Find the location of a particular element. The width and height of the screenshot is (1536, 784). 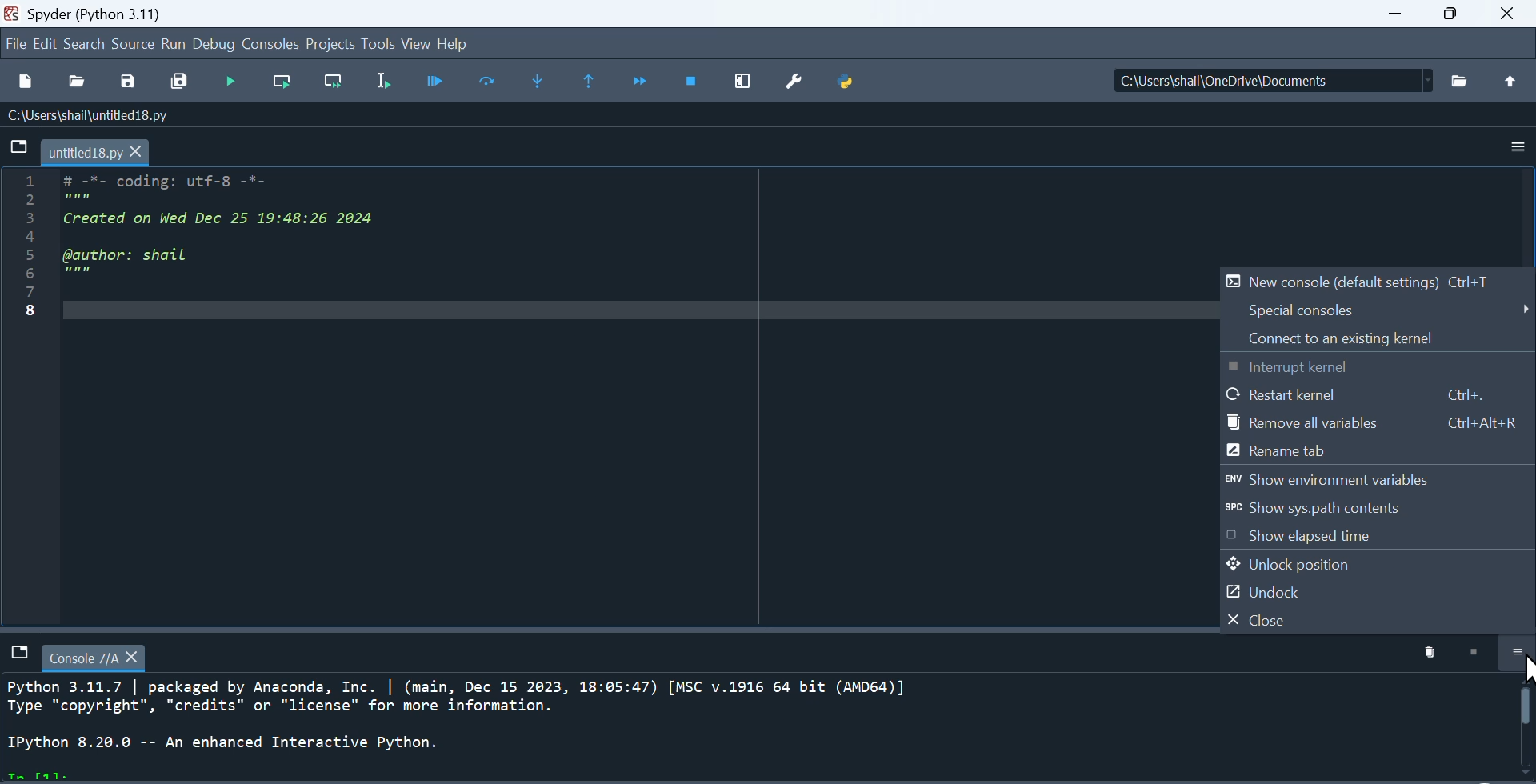

spyder logo is located at coordinates (13, 14).